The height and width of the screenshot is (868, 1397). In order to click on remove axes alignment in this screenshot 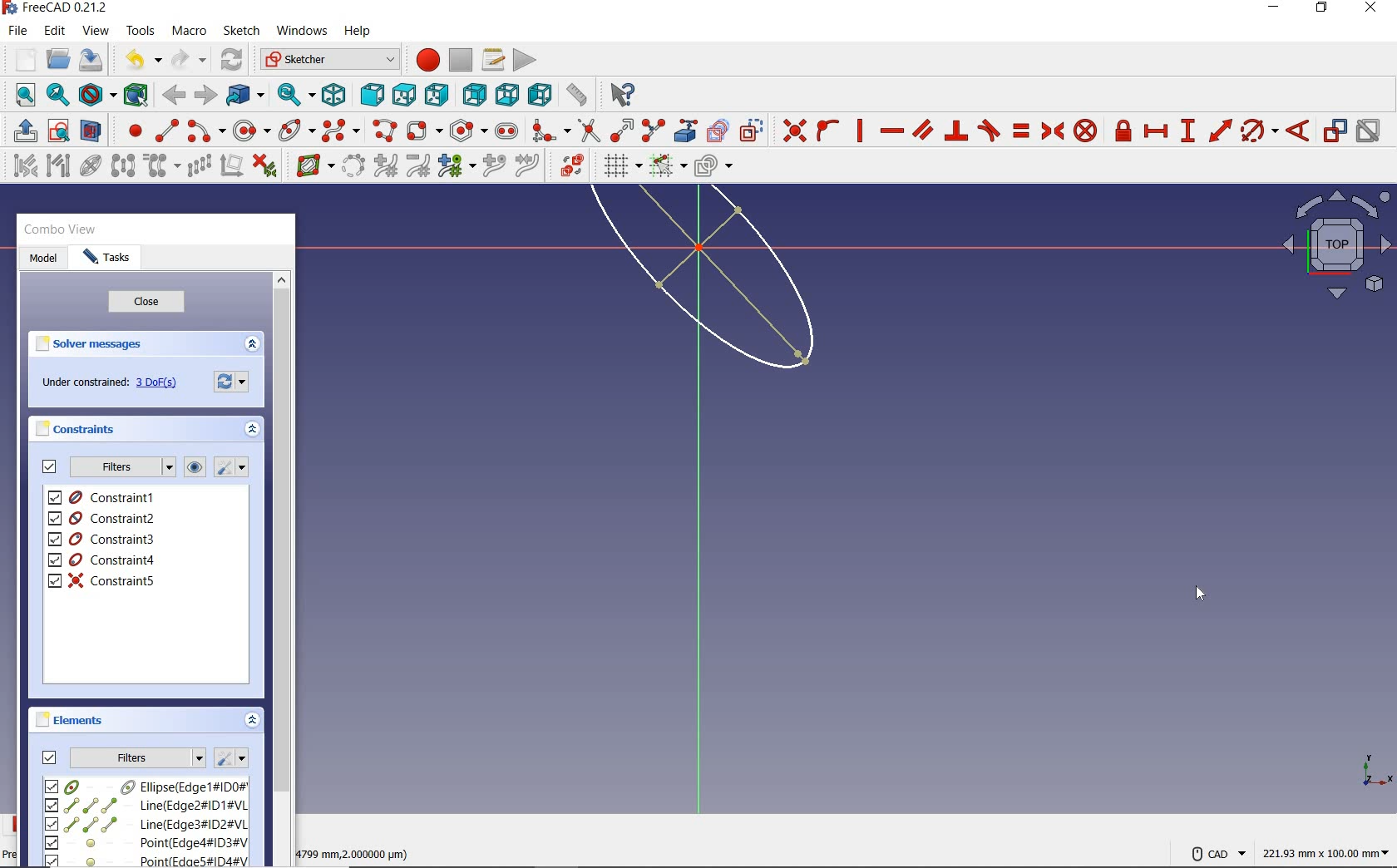, I will do `click(230, 167)`.